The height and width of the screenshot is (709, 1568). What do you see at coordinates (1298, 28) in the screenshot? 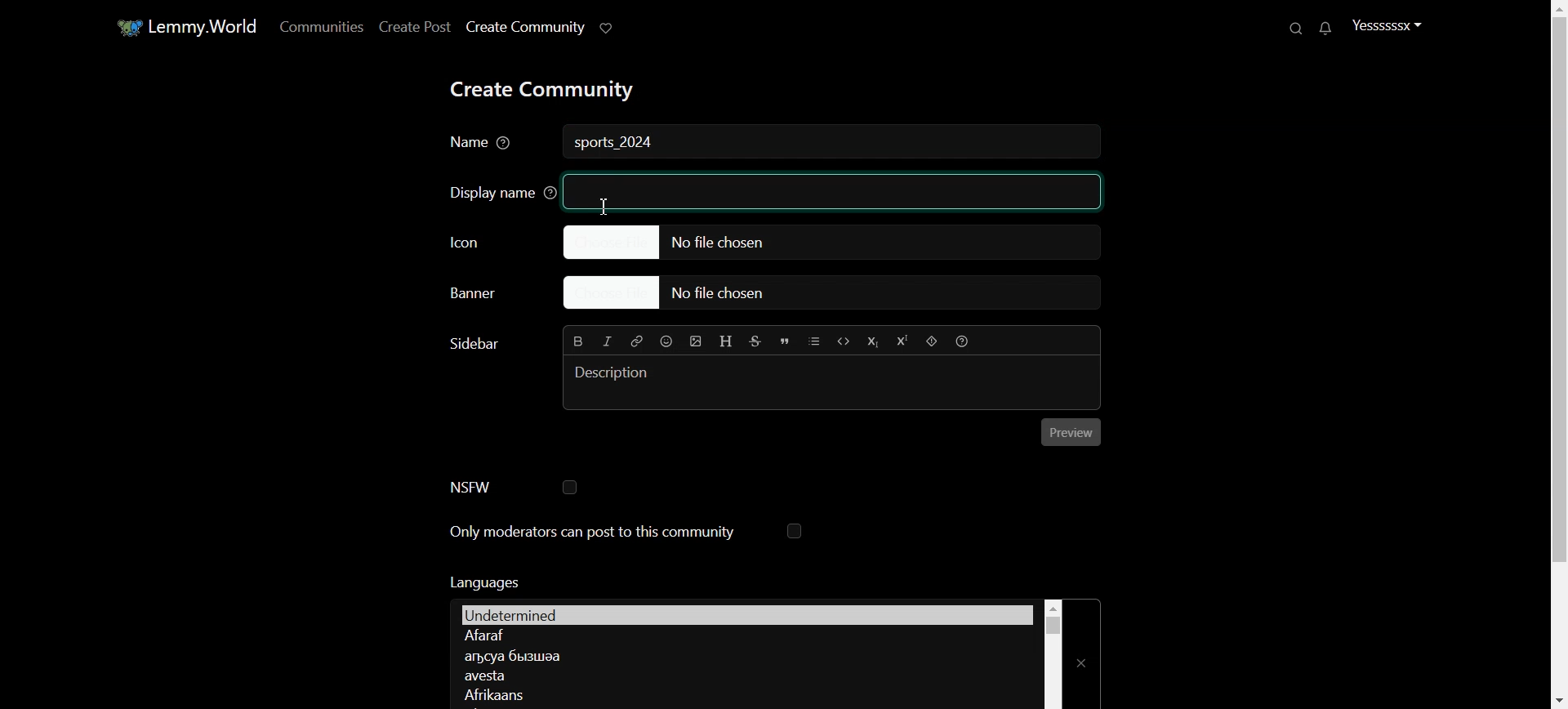
I see `Search` at bounding box center [1298, 28].